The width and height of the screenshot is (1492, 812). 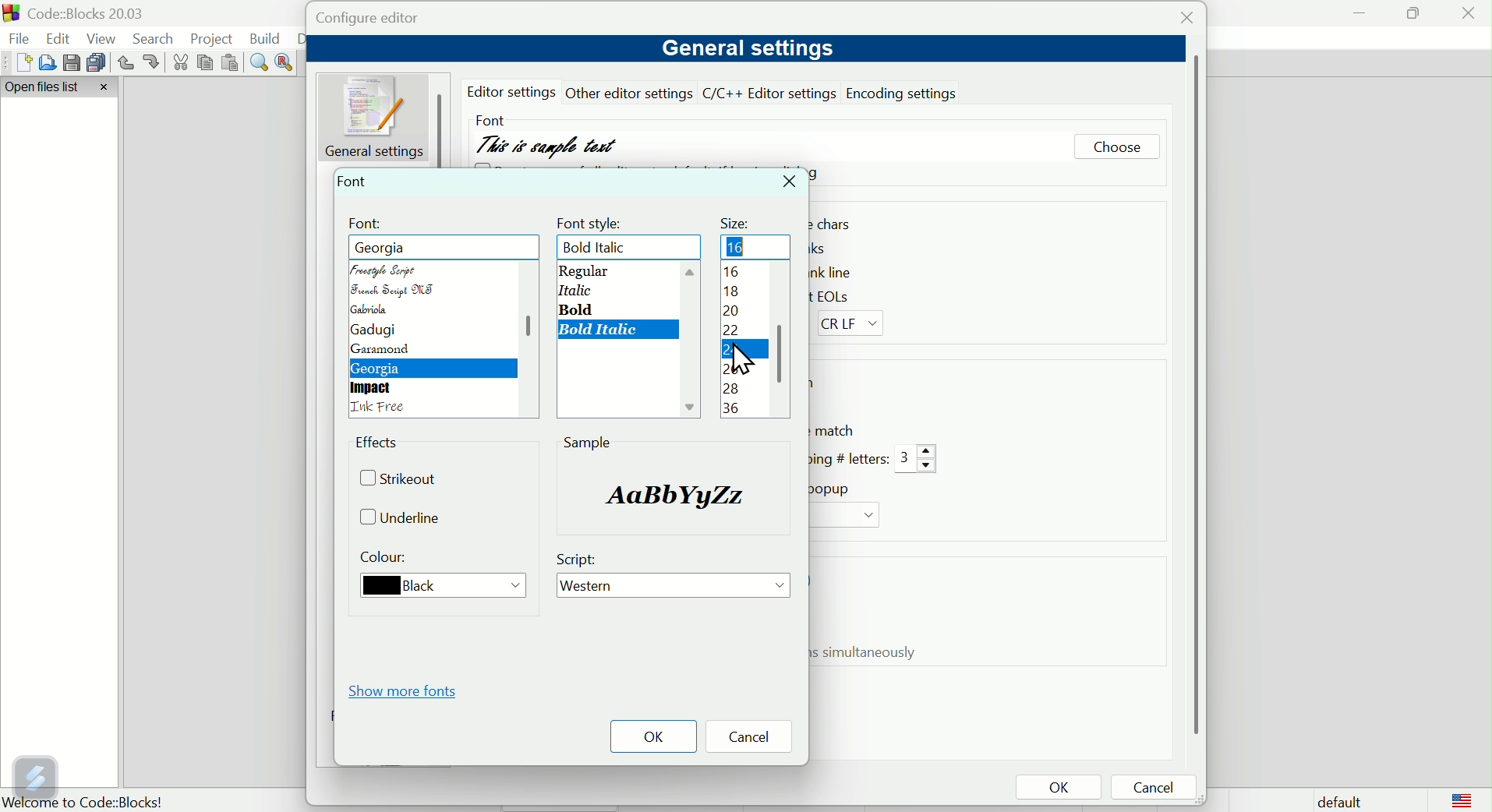 I want to click on scroll bar, so click(x=524, y=334).